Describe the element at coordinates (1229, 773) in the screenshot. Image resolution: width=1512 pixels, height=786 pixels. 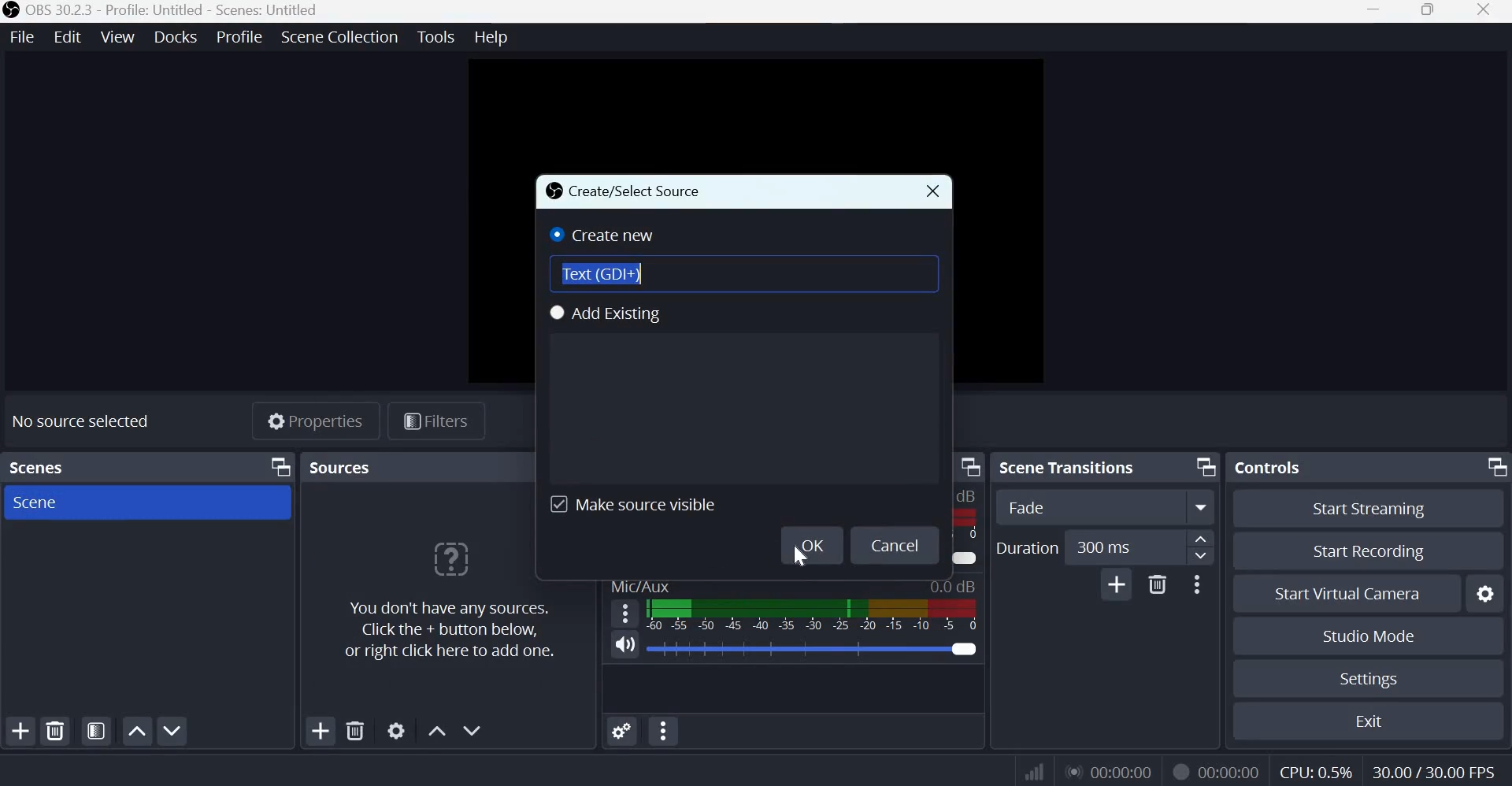
I see `00:00:00` at that location.